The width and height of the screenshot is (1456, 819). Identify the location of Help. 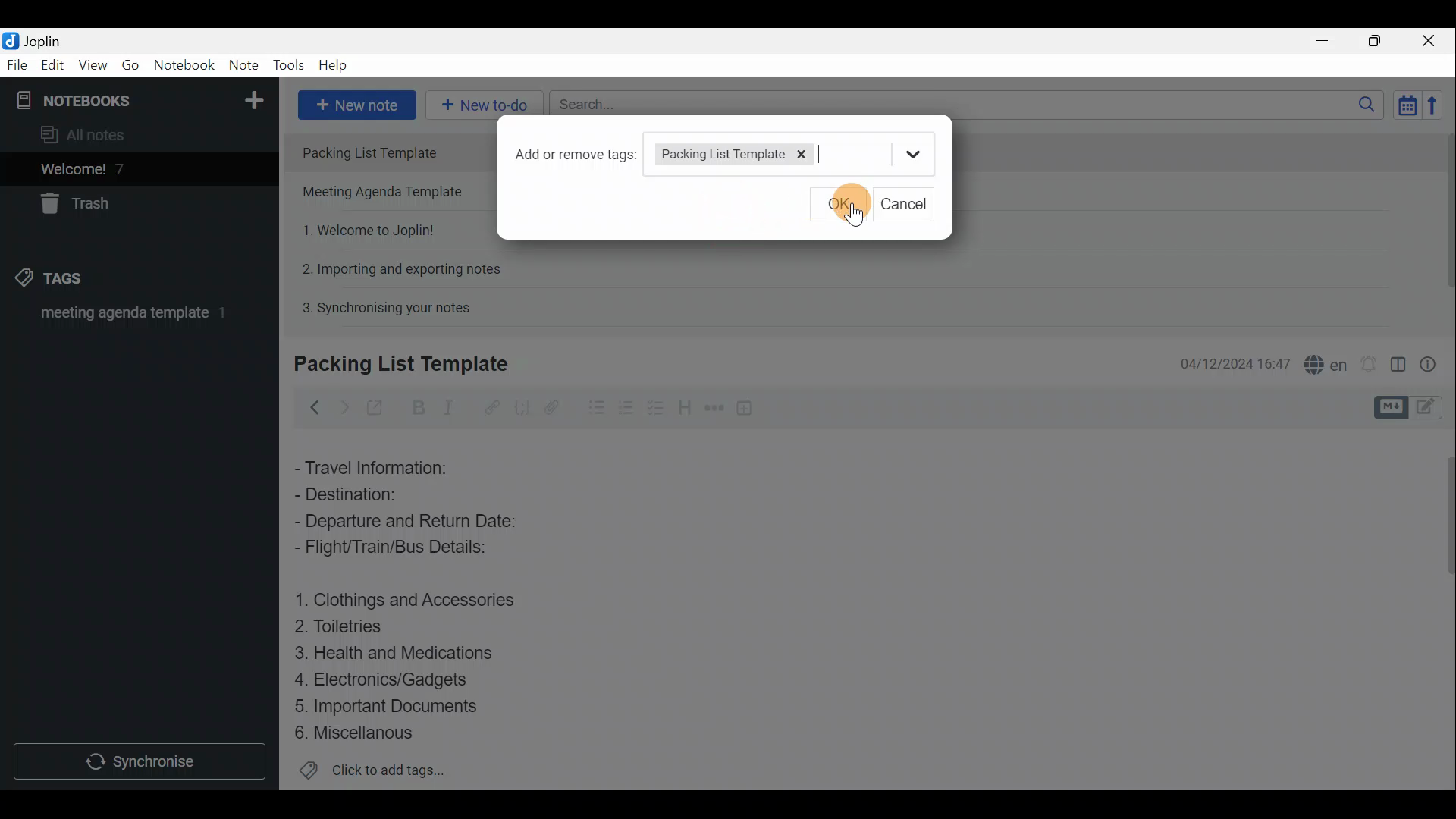
(335, 67).